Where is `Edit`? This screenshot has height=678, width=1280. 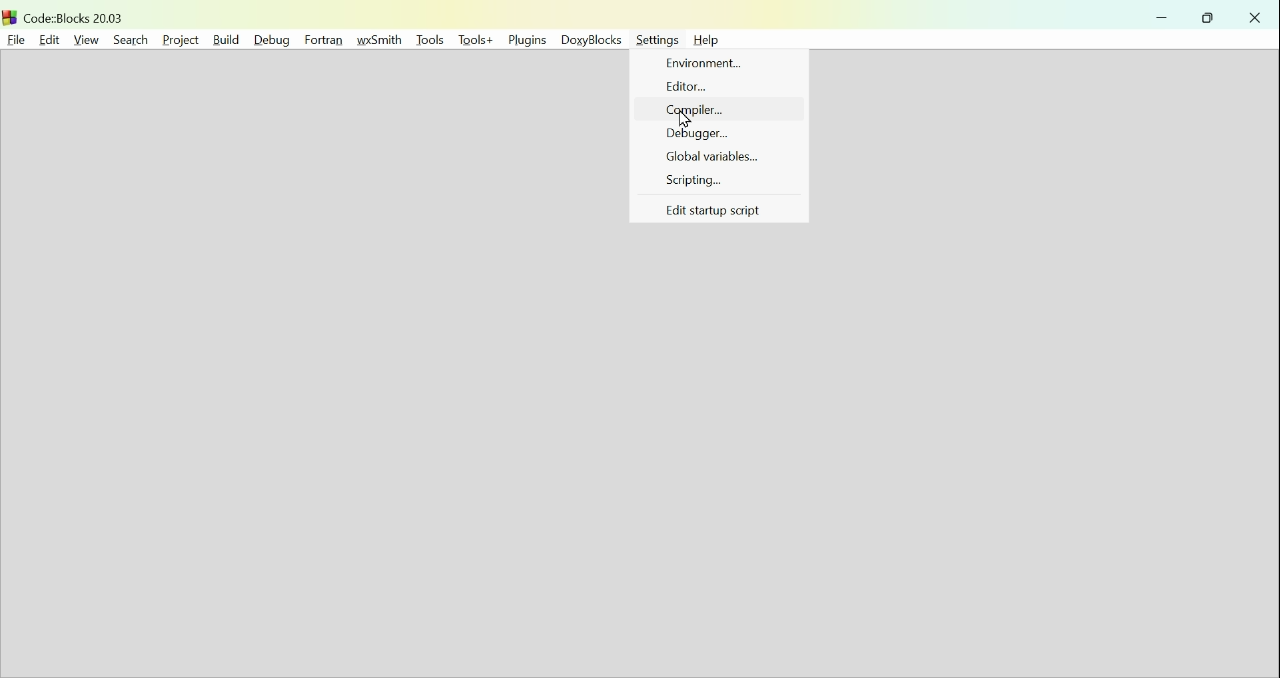 Edit is located at coordinates (46, 38).